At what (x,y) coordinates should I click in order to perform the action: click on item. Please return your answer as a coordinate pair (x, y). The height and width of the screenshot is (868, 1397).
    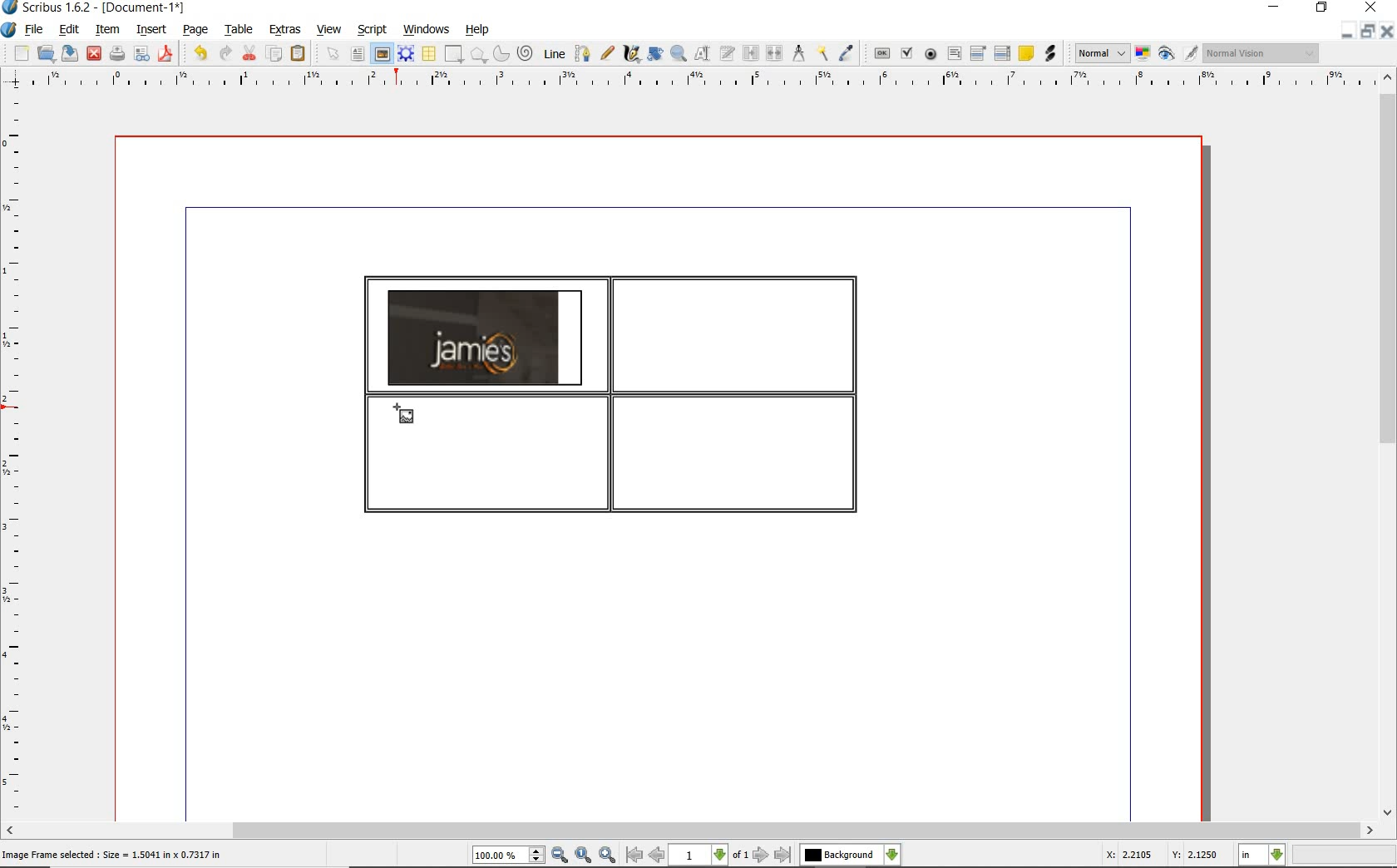
    Looking at the image, I should click on (106, 30).